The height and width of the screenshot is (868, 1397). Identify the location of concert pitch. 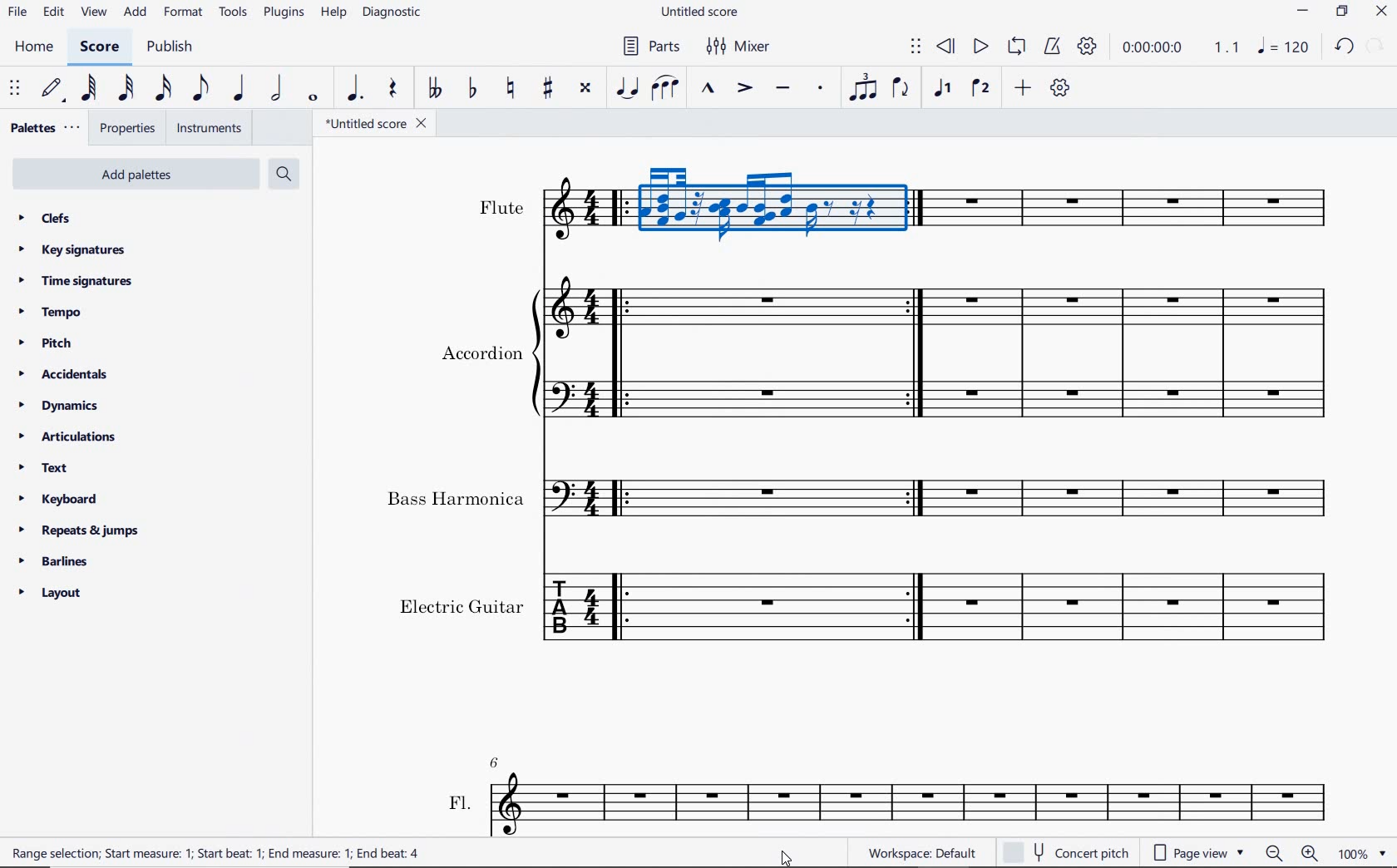
(1066, 851).